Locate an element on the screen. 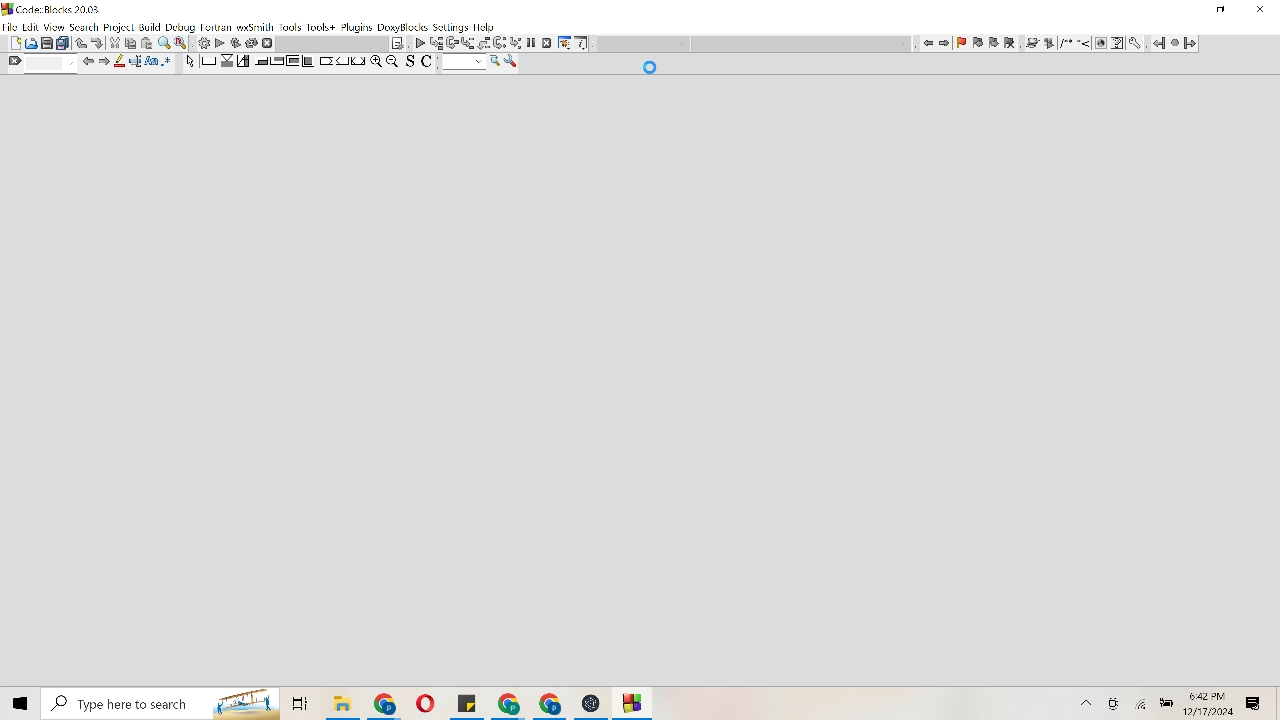  Print and duplicate is located at coordinates (56, 42).